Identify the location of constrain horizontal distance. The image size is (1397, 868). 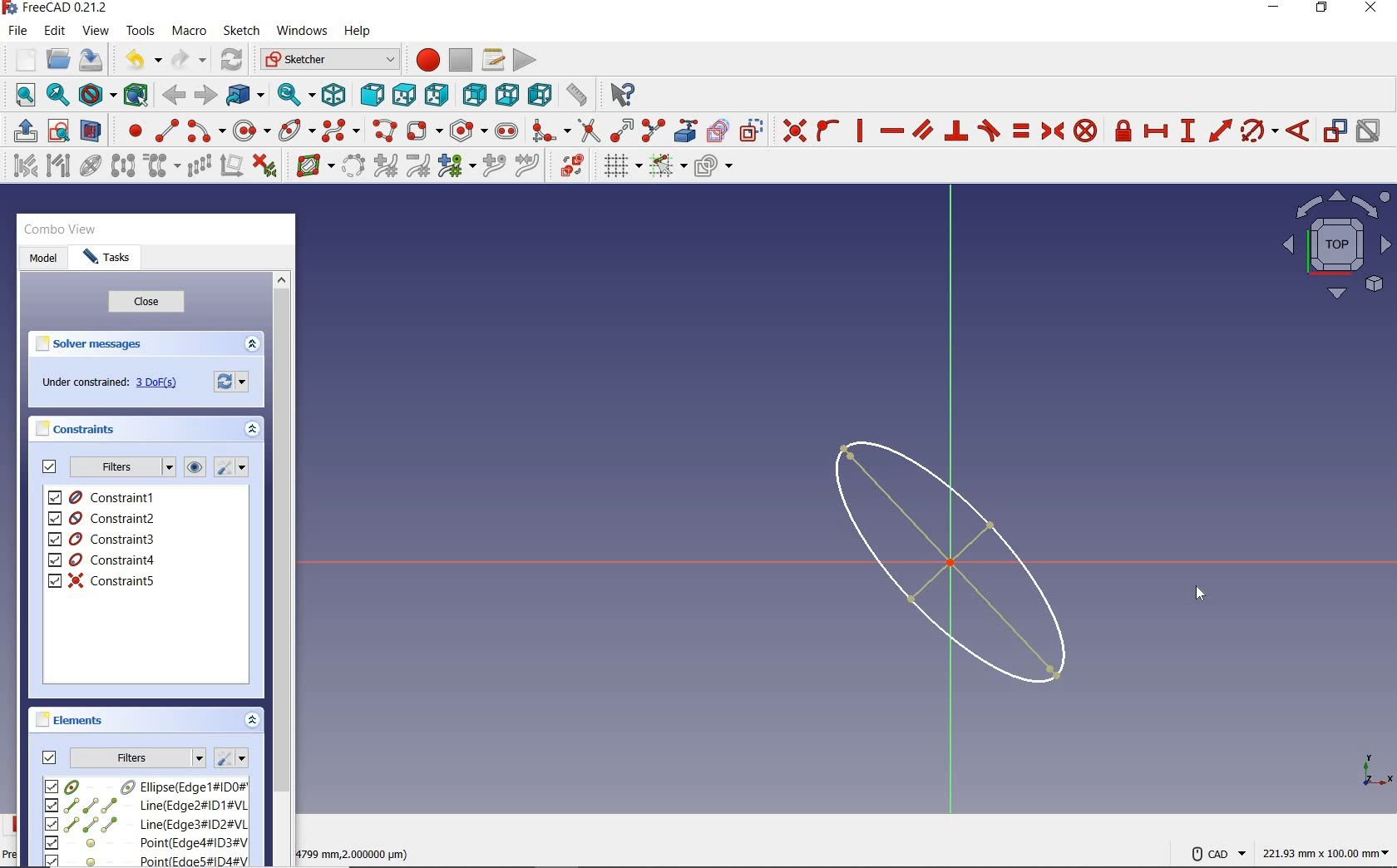
(1155, 130).